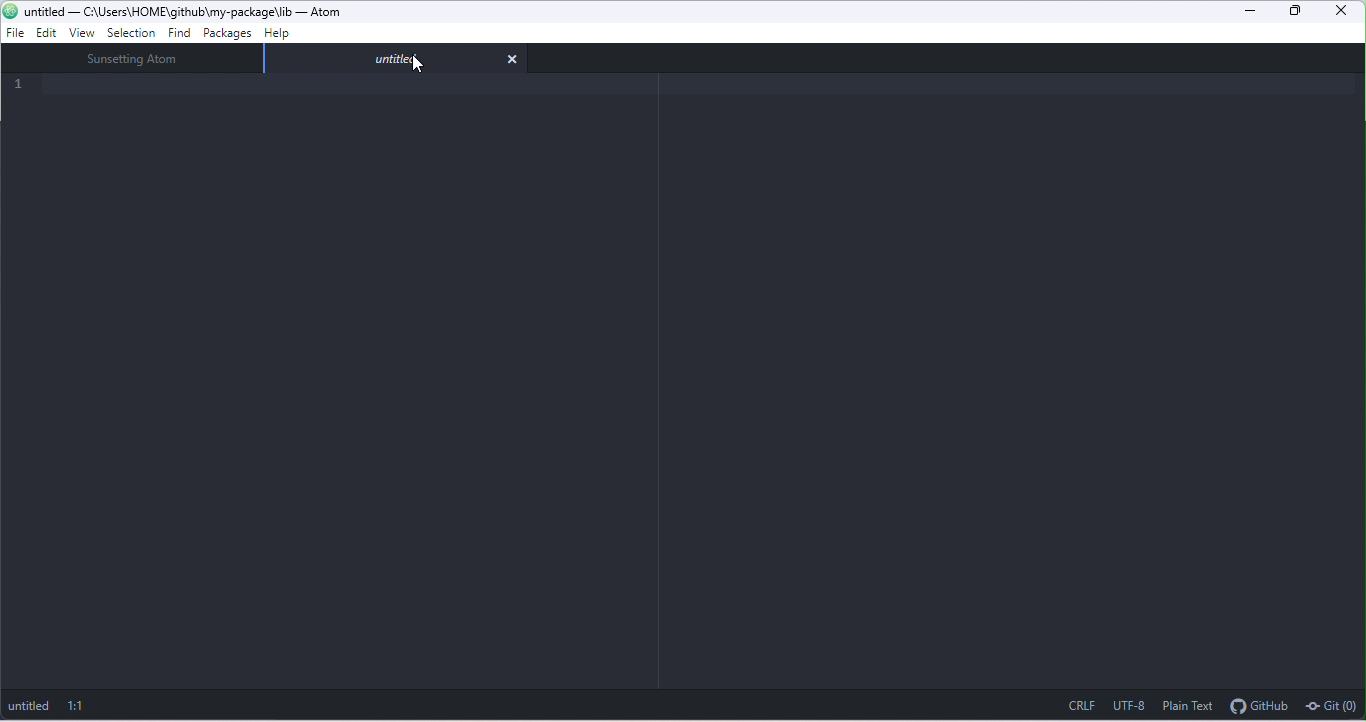 This screenshot has height=722, width=1366. Describe the element at coordinates (1185, 705) in the screenshot. I see `plain text` at that location.